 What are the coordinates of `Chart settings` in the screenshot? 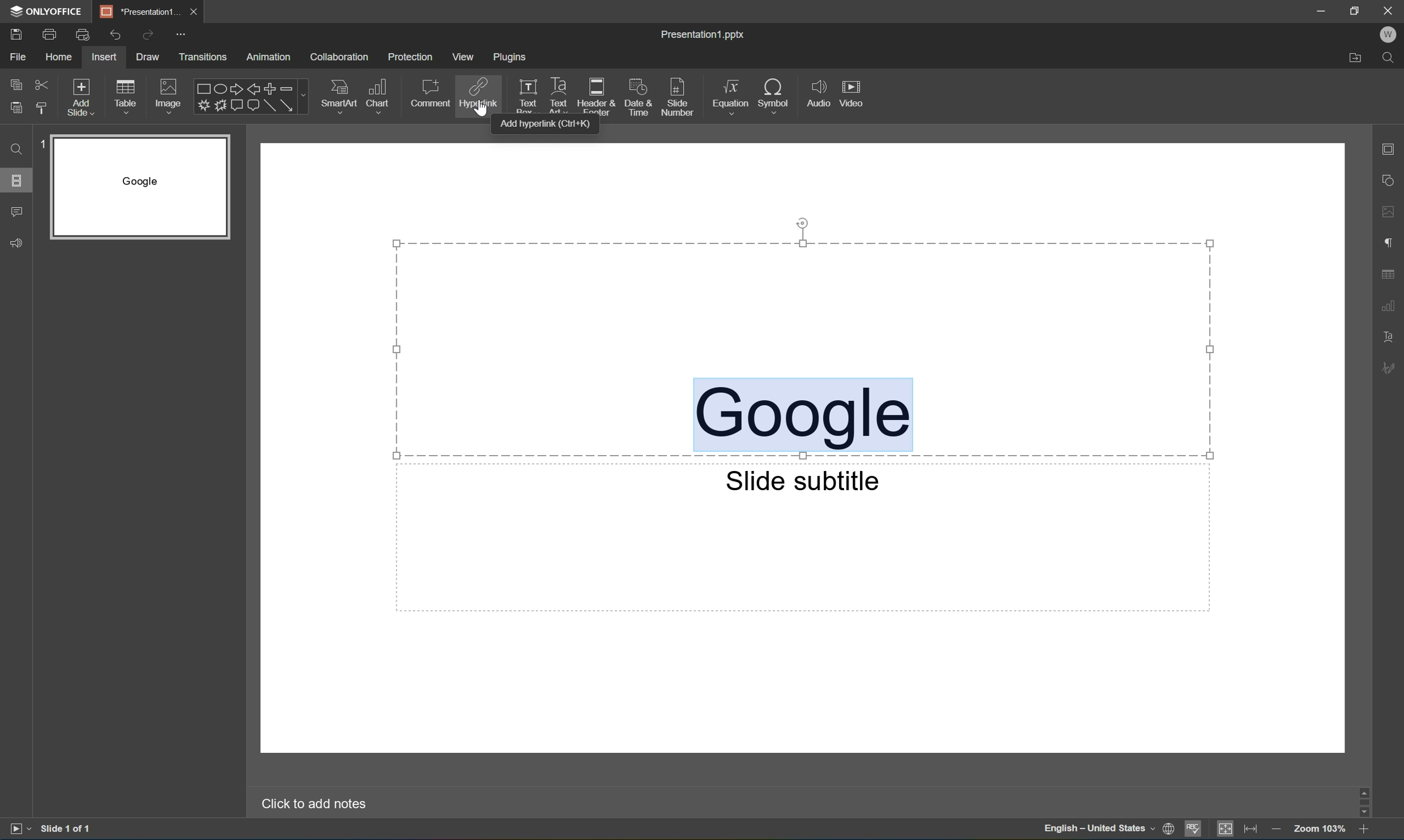 It's located at (1388, 306).